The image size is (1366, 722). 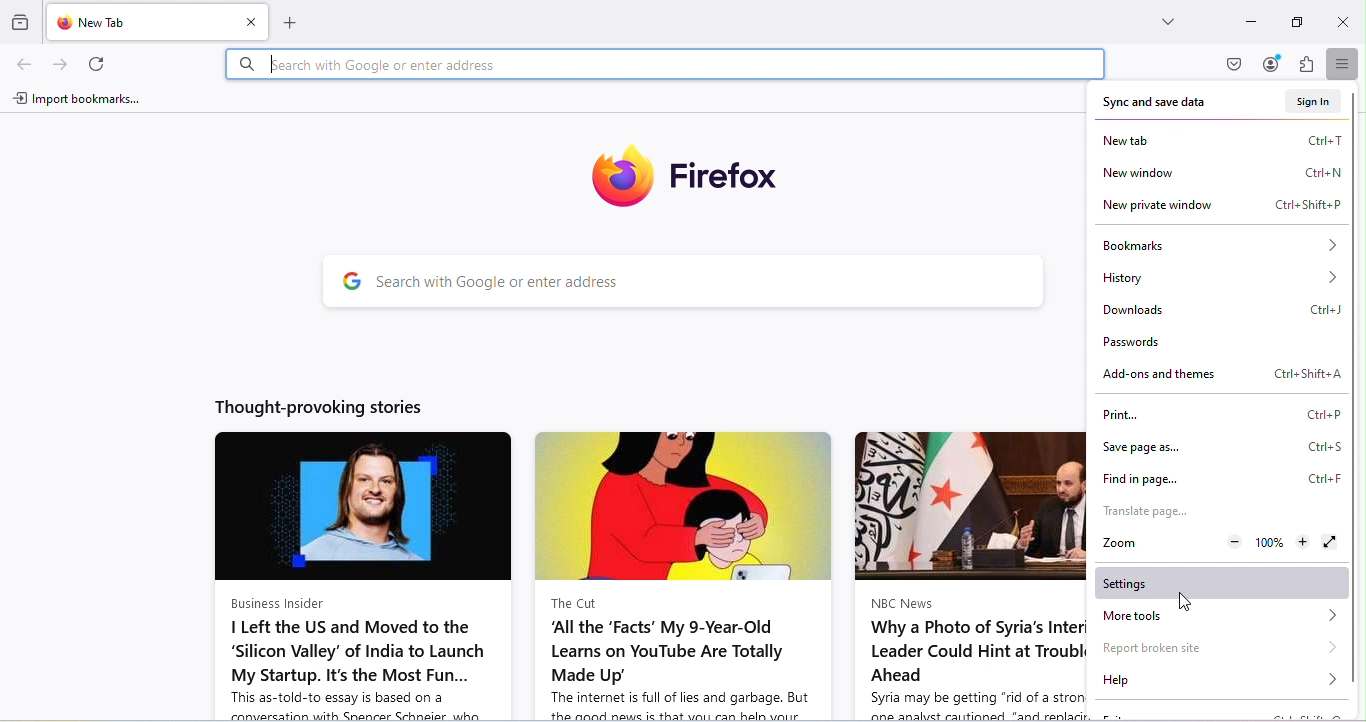 I want to click on Settings, so click(x=1218, y=582).